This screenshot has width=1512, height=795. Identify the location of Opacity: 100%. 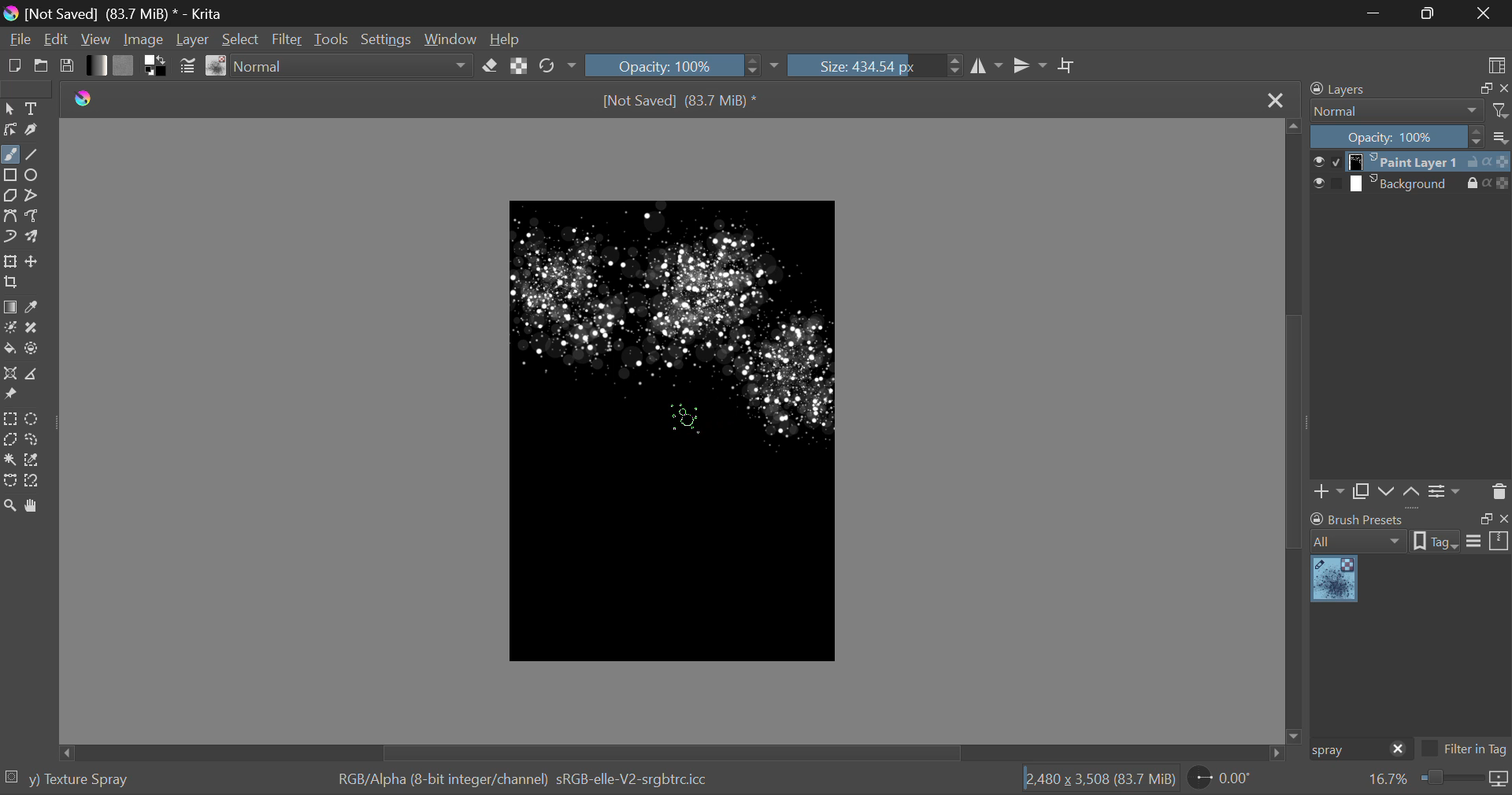
(1397, 138).